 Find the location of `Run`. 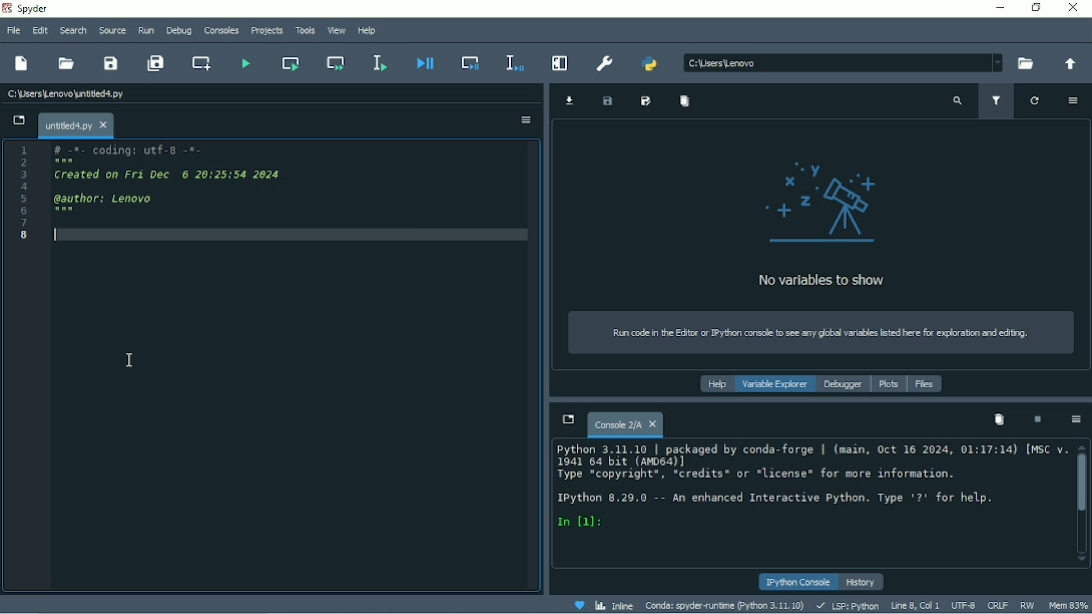

Run is located at coordinates (146, 30).